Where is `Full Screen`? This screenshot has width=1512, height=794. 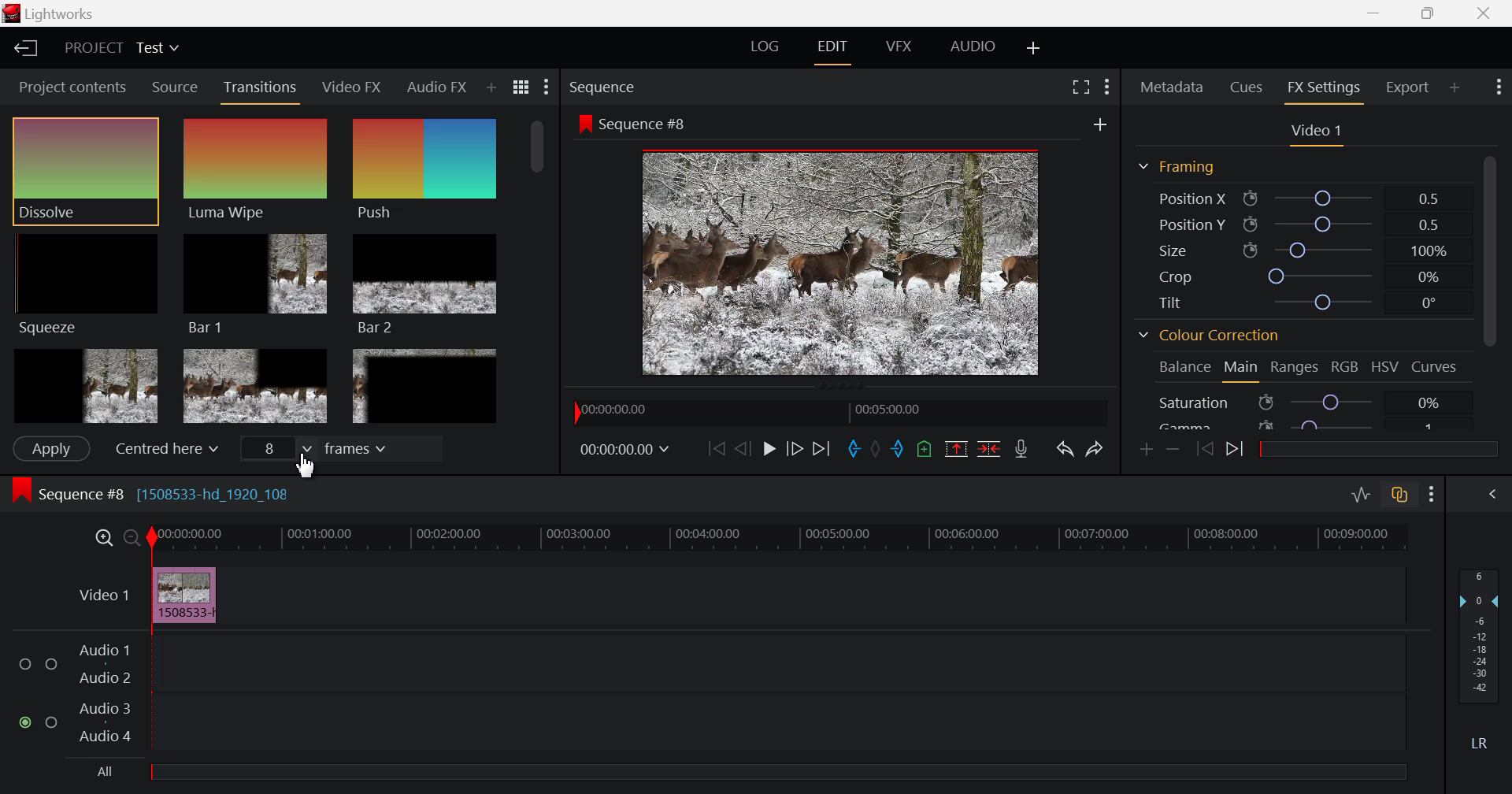 Full Screen is located at coordinates (1080, 88).